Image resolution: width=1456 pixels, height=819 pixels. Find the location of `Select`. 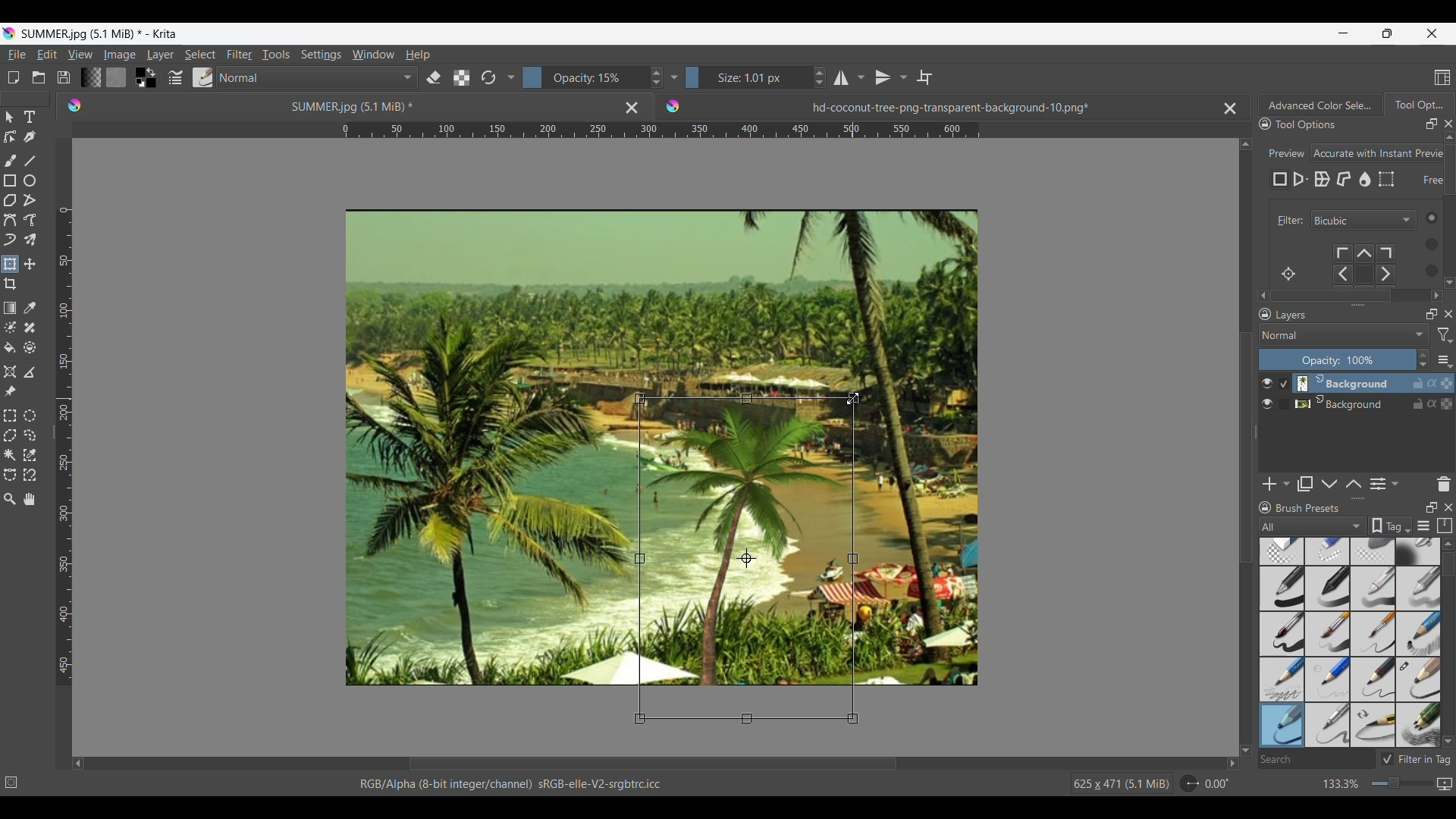

Select is located at coordinates (200, 55).